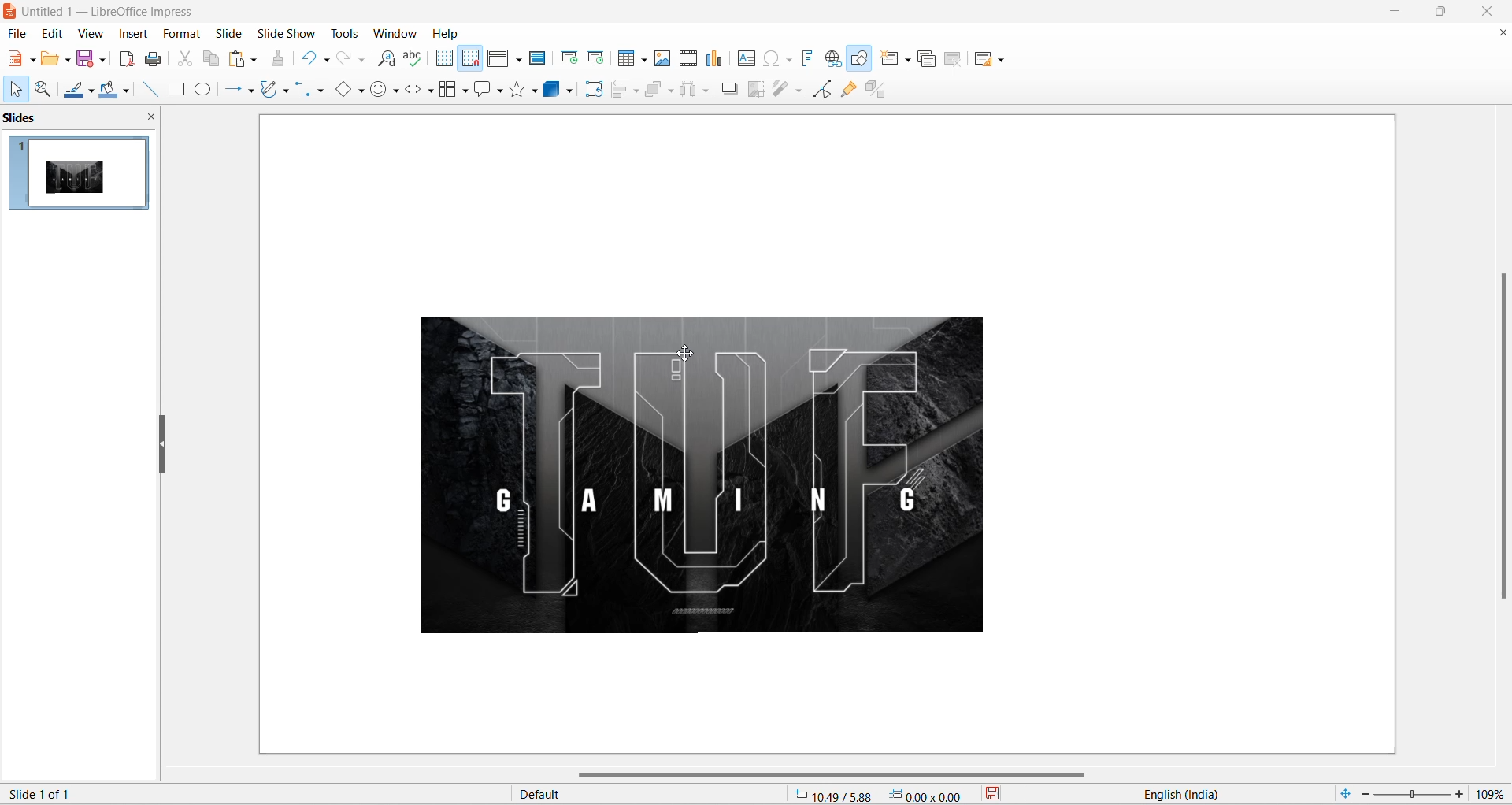  What do you see at coordinates (519, 61) in the screenshot?
I see `display views option` at bounding box center [519, 61].